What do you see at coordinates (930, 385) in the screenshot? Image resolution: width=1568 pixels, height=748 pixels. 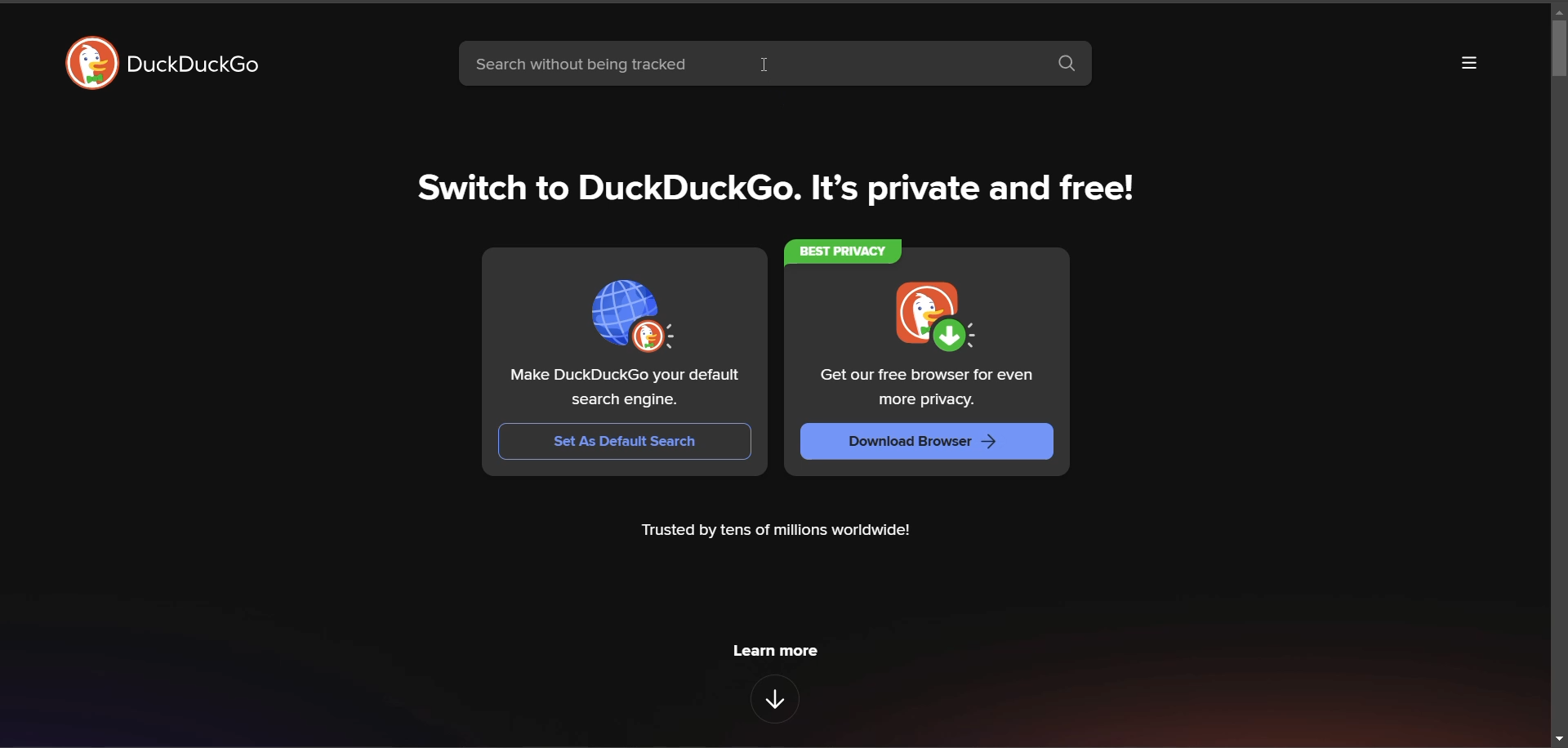 I see `Get our free browser for even more privacy.` at bounding box center [930, 385].